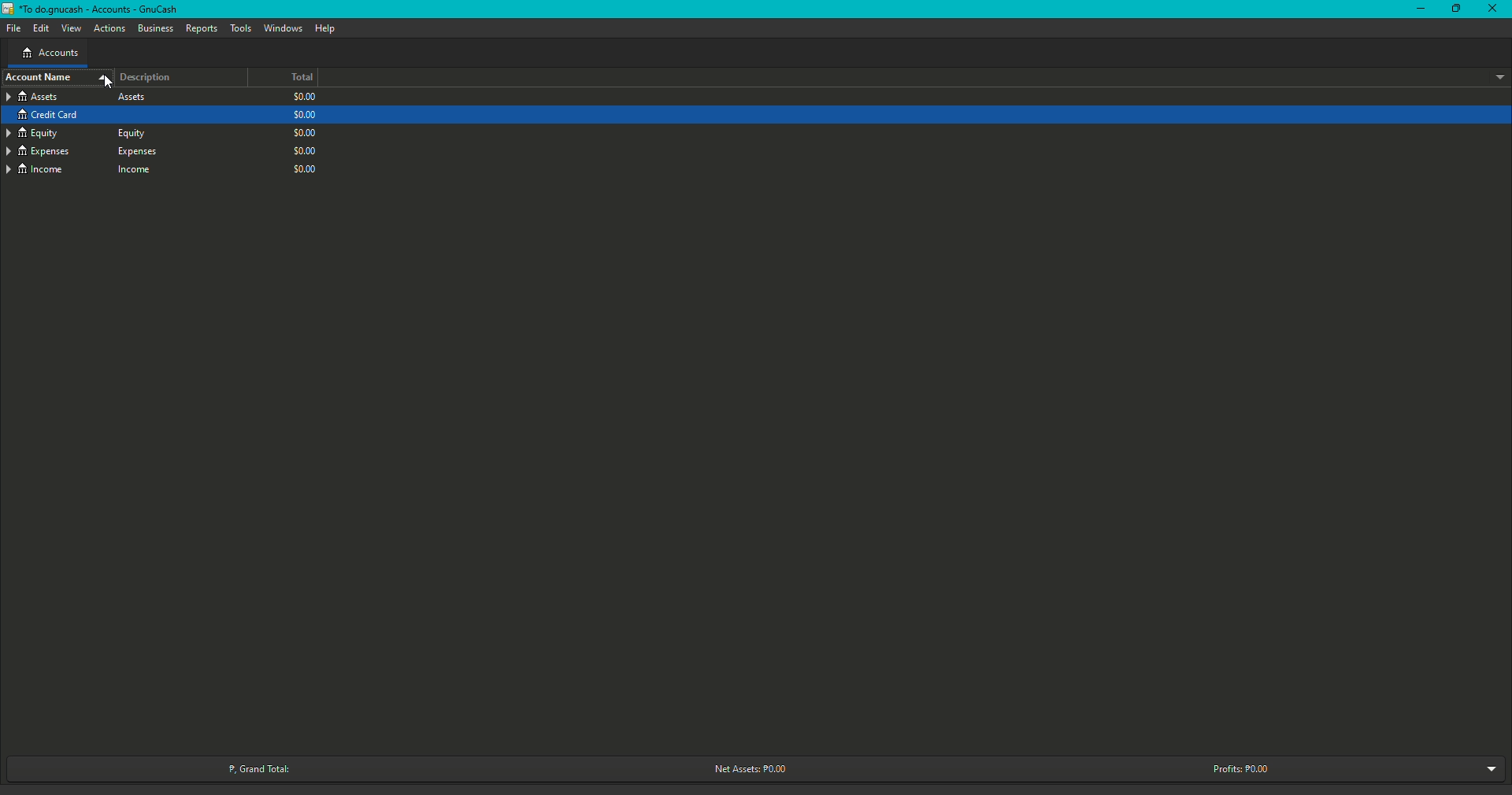 Image resolution: width=1512 pixels, height=795 pixels. Describe the element at coordinates (280, 30) in the screenshot. I see `Windows` at that location.